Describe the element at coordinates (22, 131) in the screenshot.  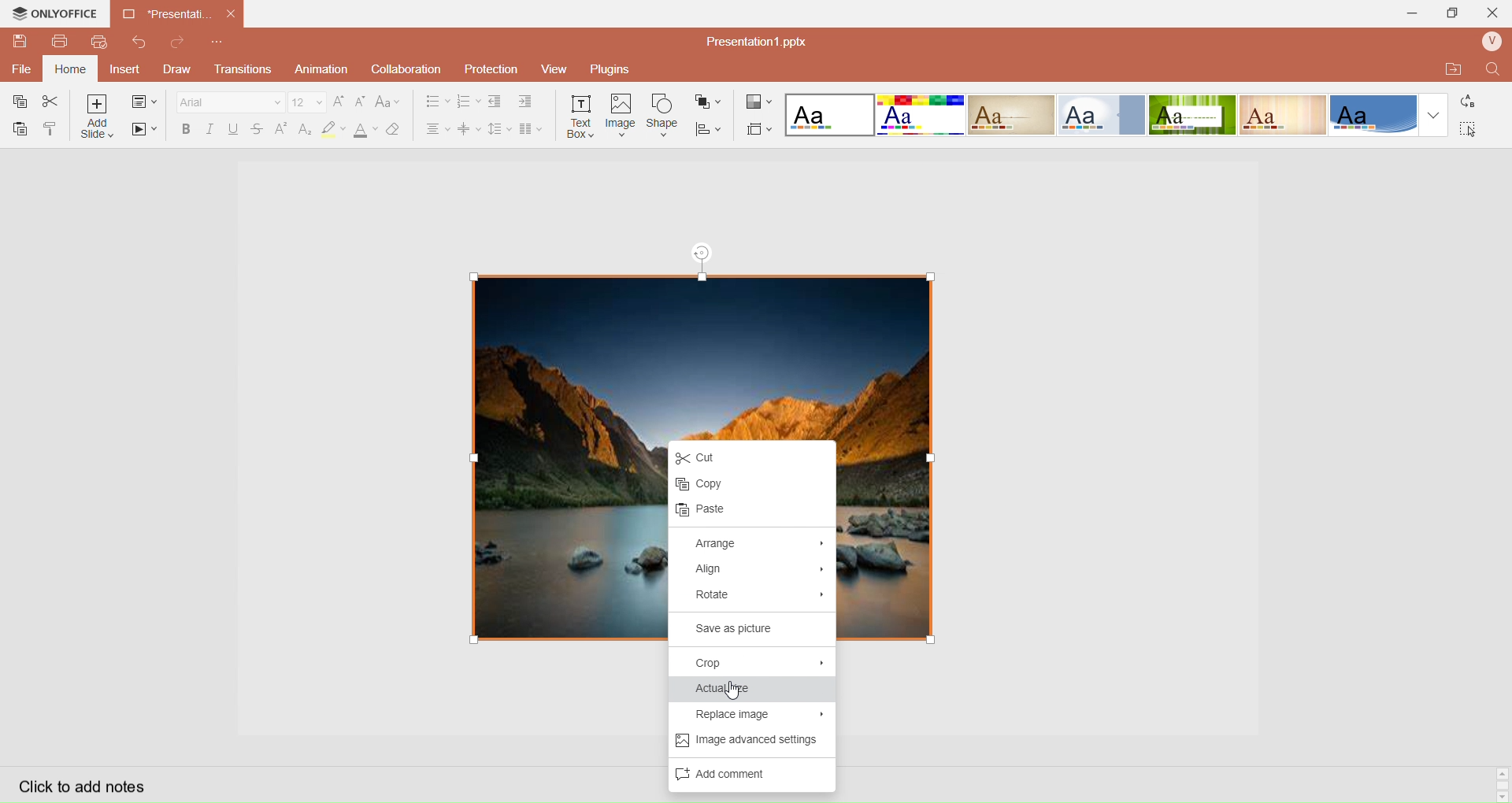
I see `Paste` at that location.